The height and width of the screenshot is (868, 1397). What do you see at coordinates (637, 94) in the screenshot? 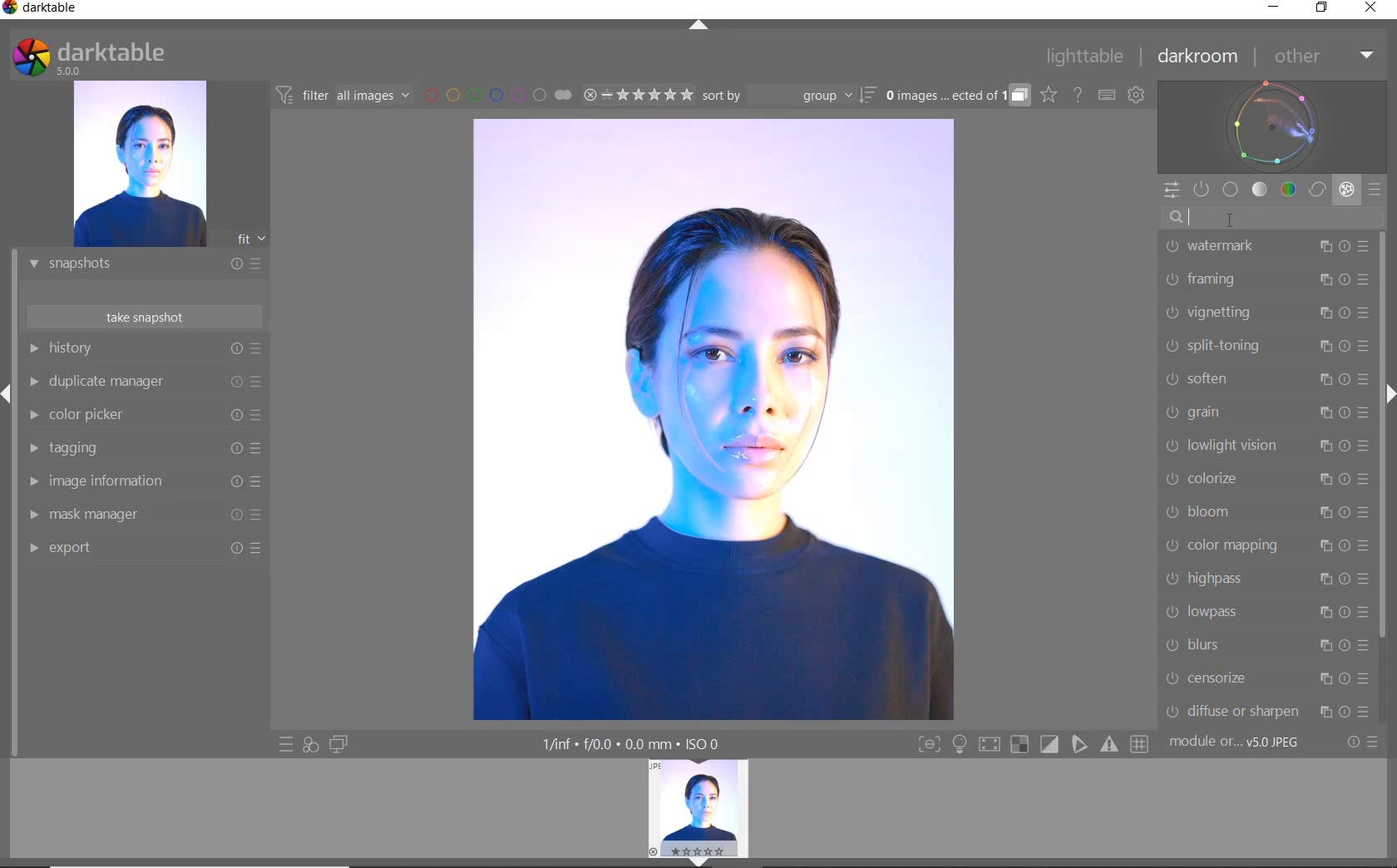
I see `RANGE RATING OF SELECTED IMAGES` at bounding box center [637, 94].